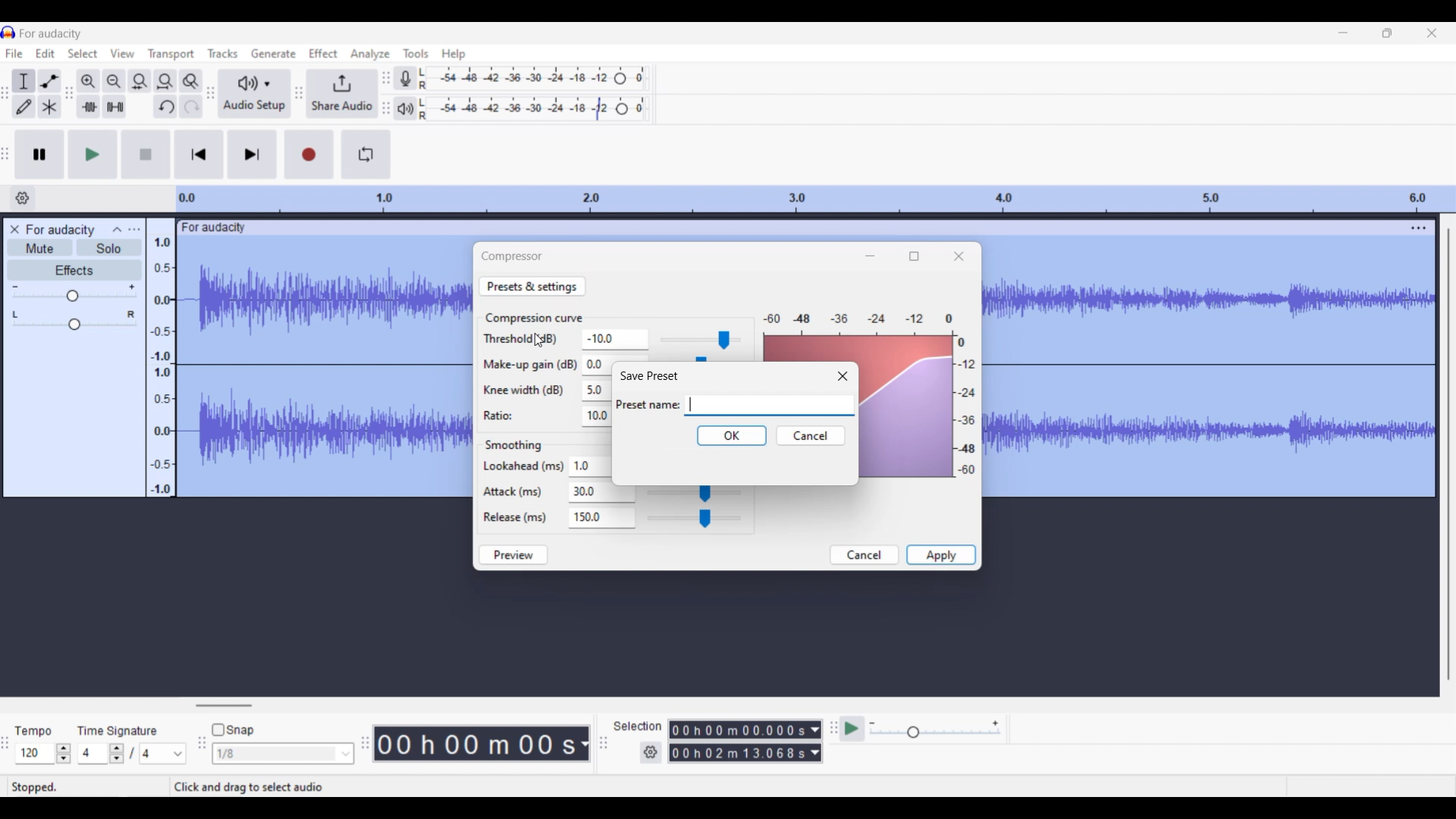 The image size is (1456, 819). I want to click on Cursor, so click(538, 341).